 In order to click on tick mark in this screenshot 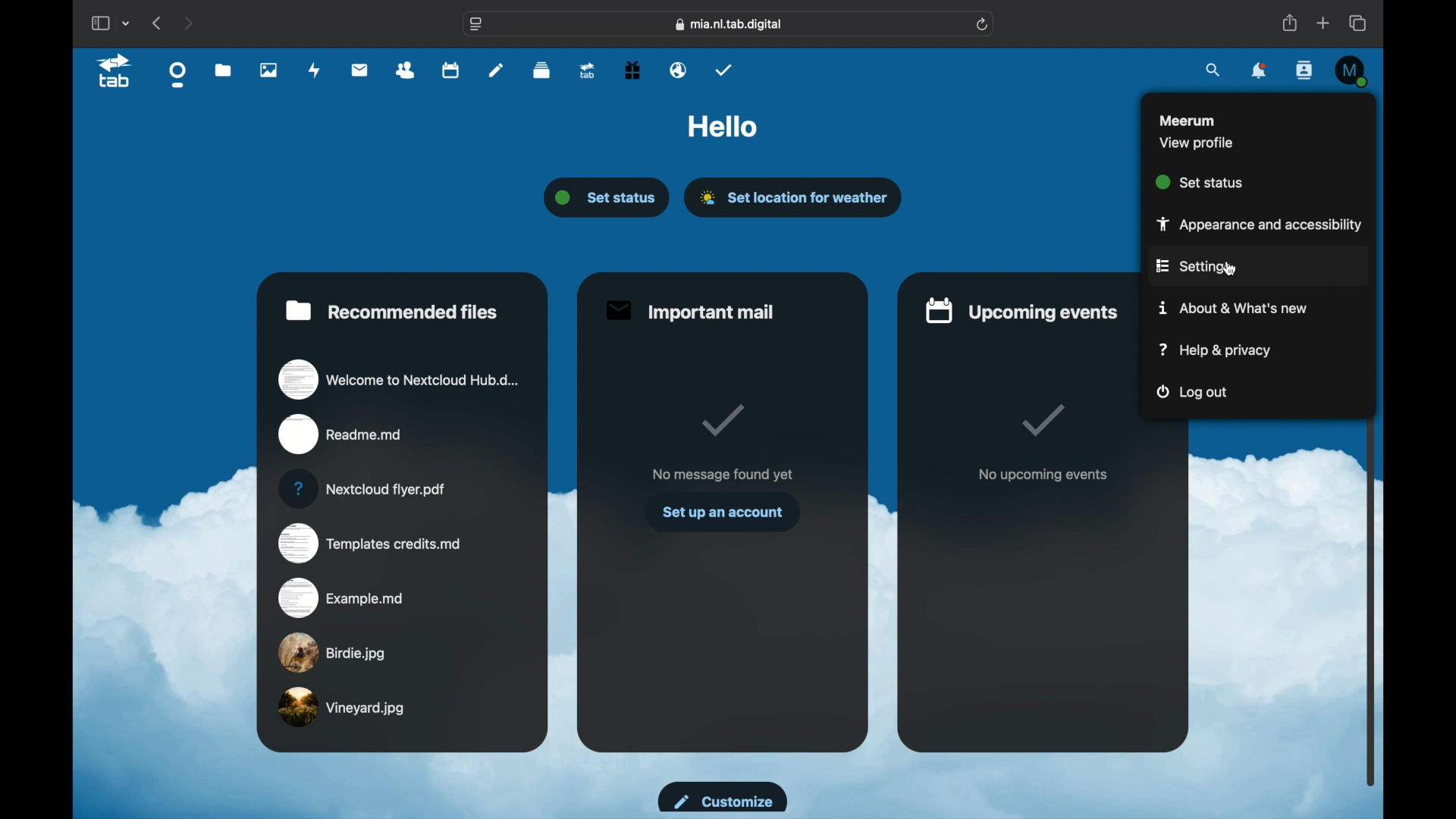, I will do `click(720, 420)`.